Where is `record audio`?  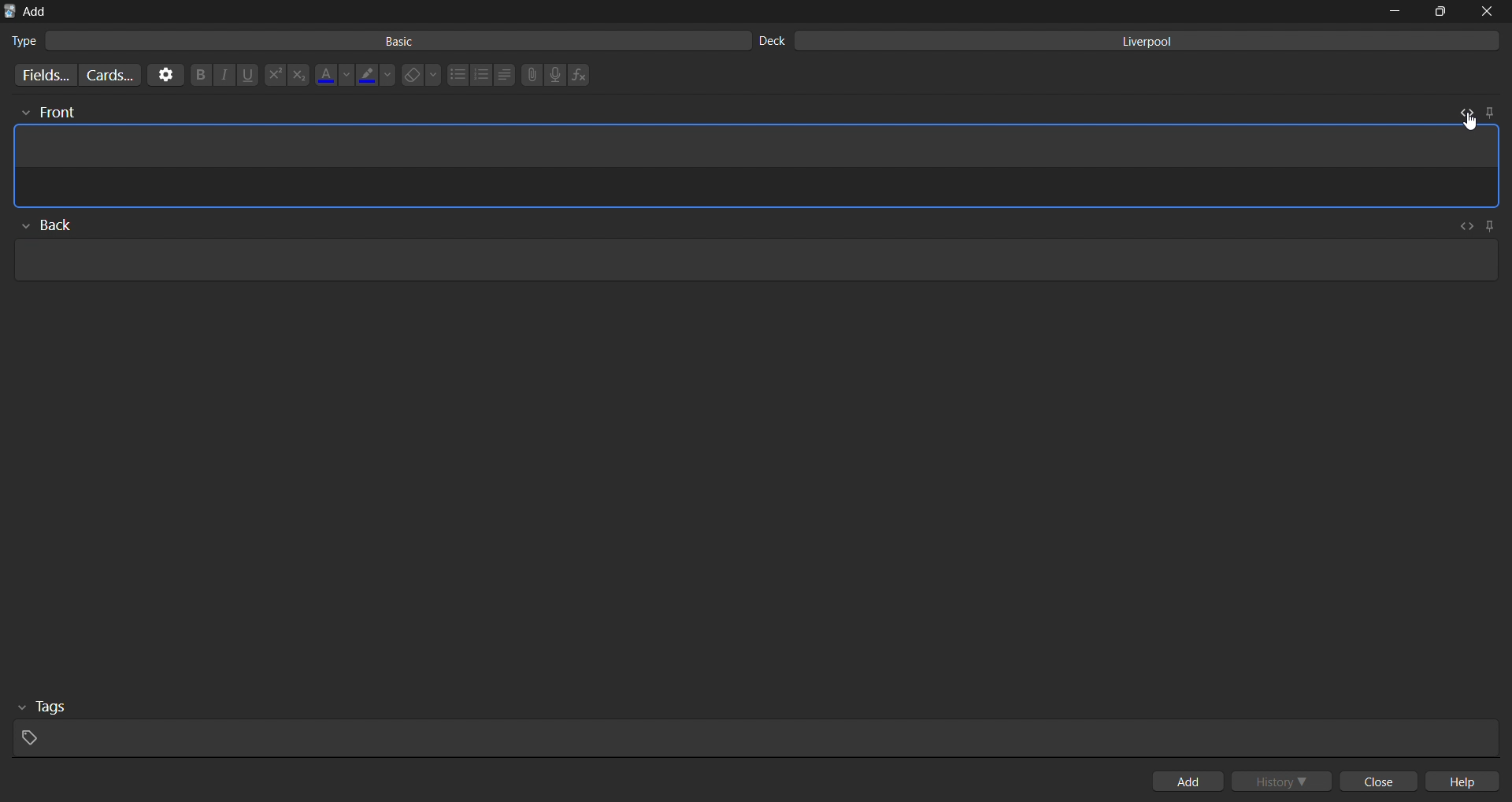 record audio is located at coordinates (559, 76).